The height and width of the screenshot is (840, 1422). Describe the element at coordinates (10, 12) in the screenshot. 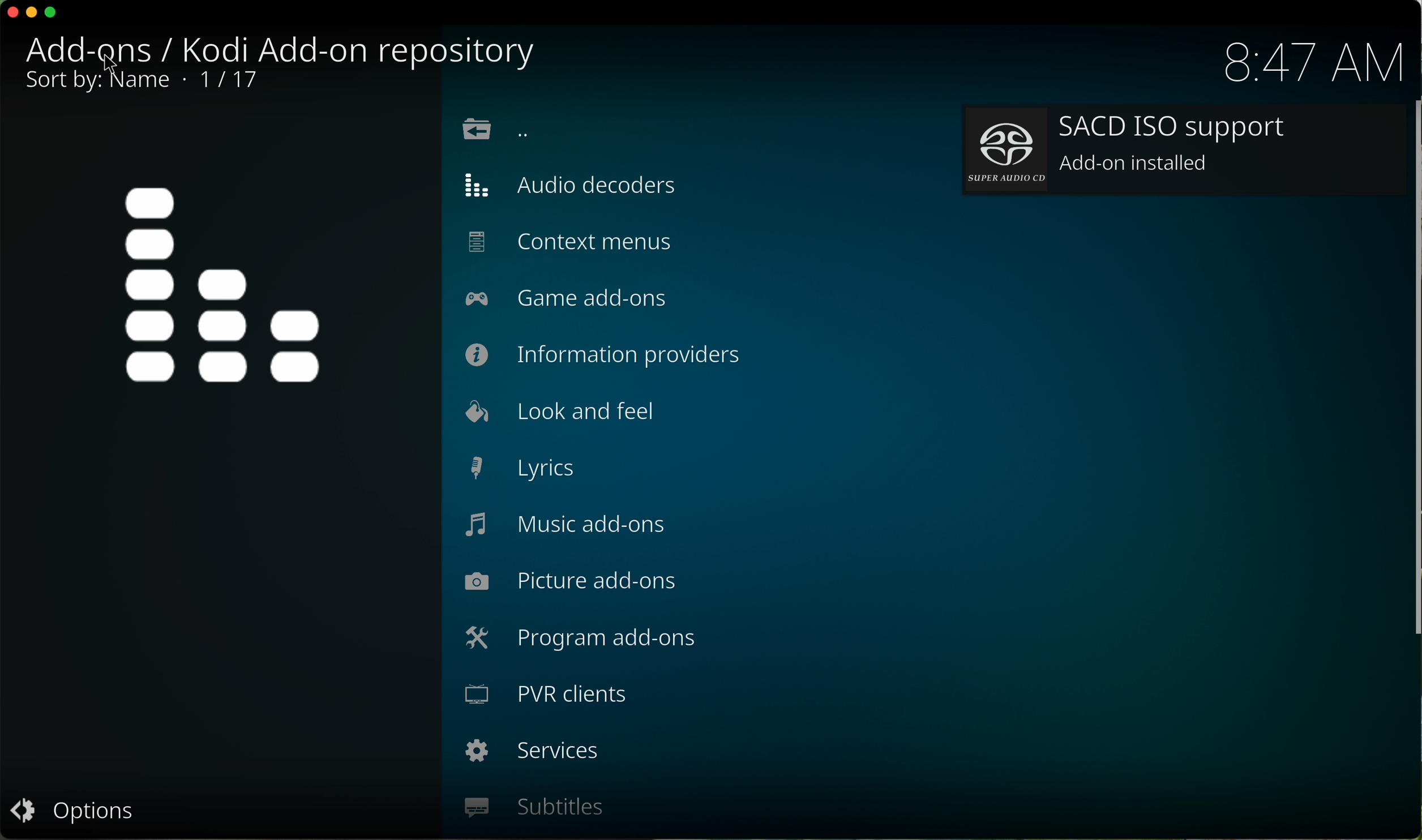

I see `close` at that location.